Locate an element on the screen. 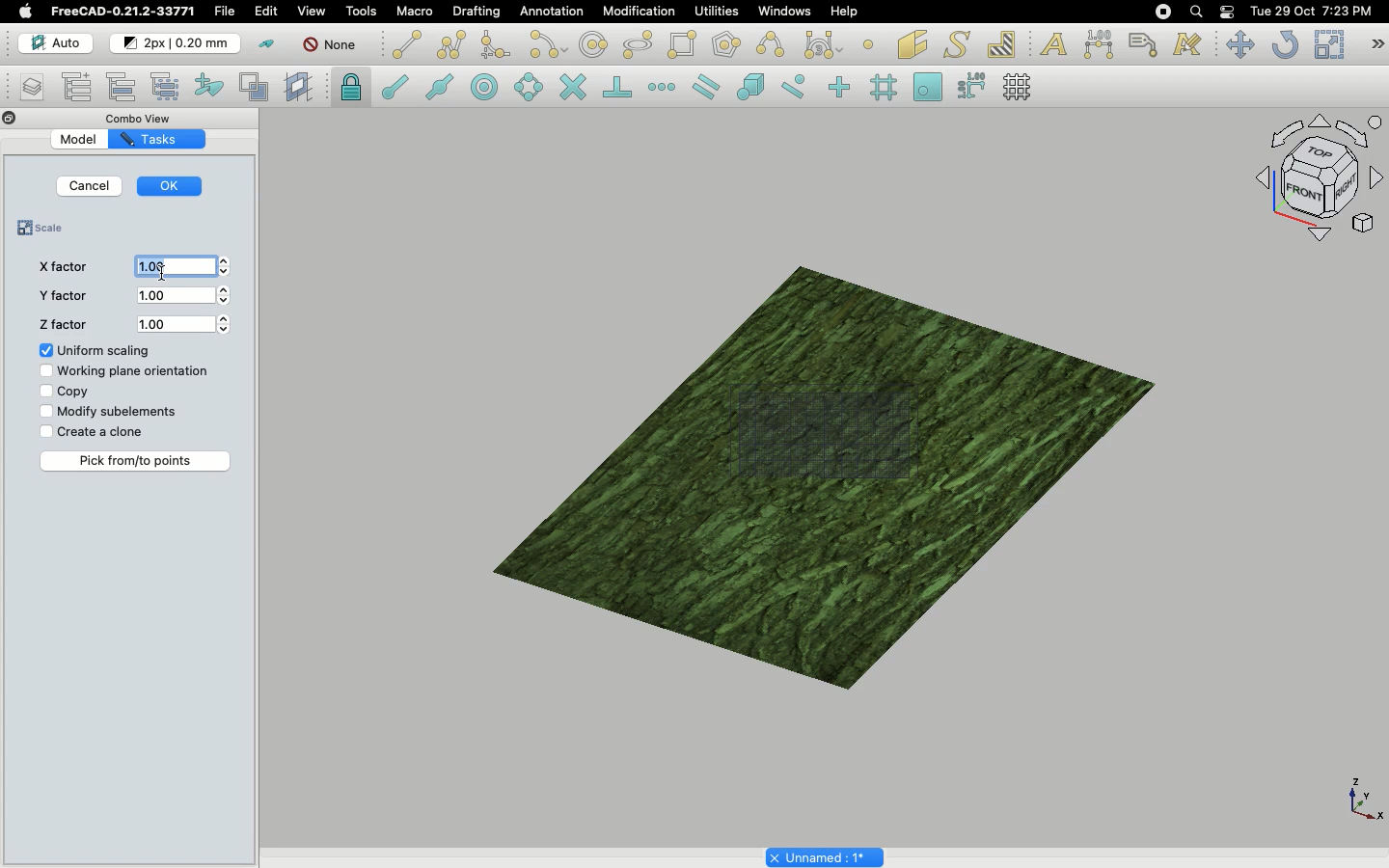  View is located at coordinates (308, 12).